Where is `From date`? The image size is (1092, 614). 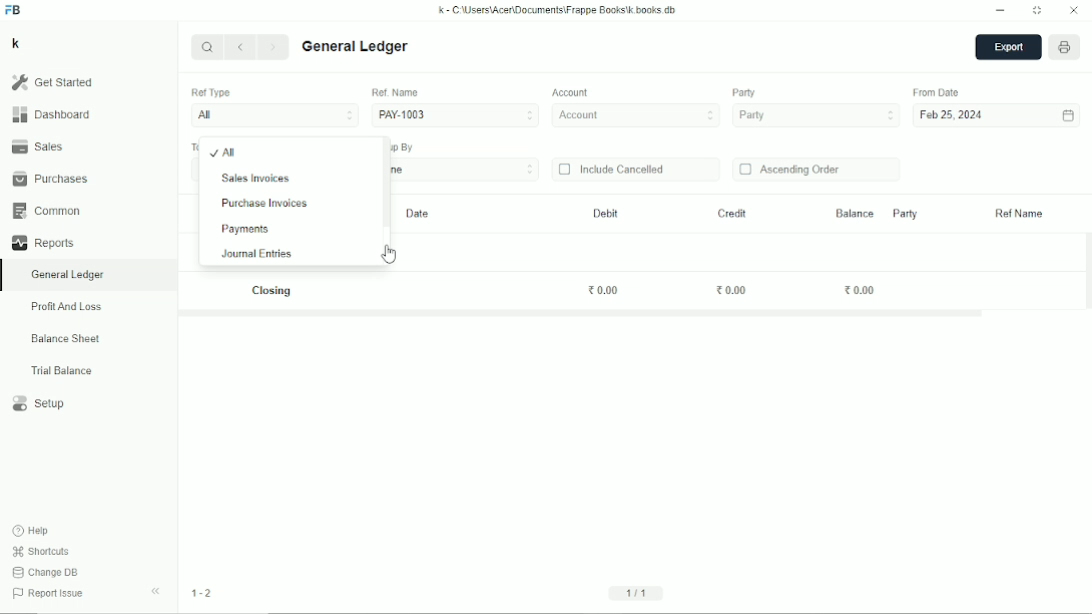 From date is located at coordinates (938, 92).